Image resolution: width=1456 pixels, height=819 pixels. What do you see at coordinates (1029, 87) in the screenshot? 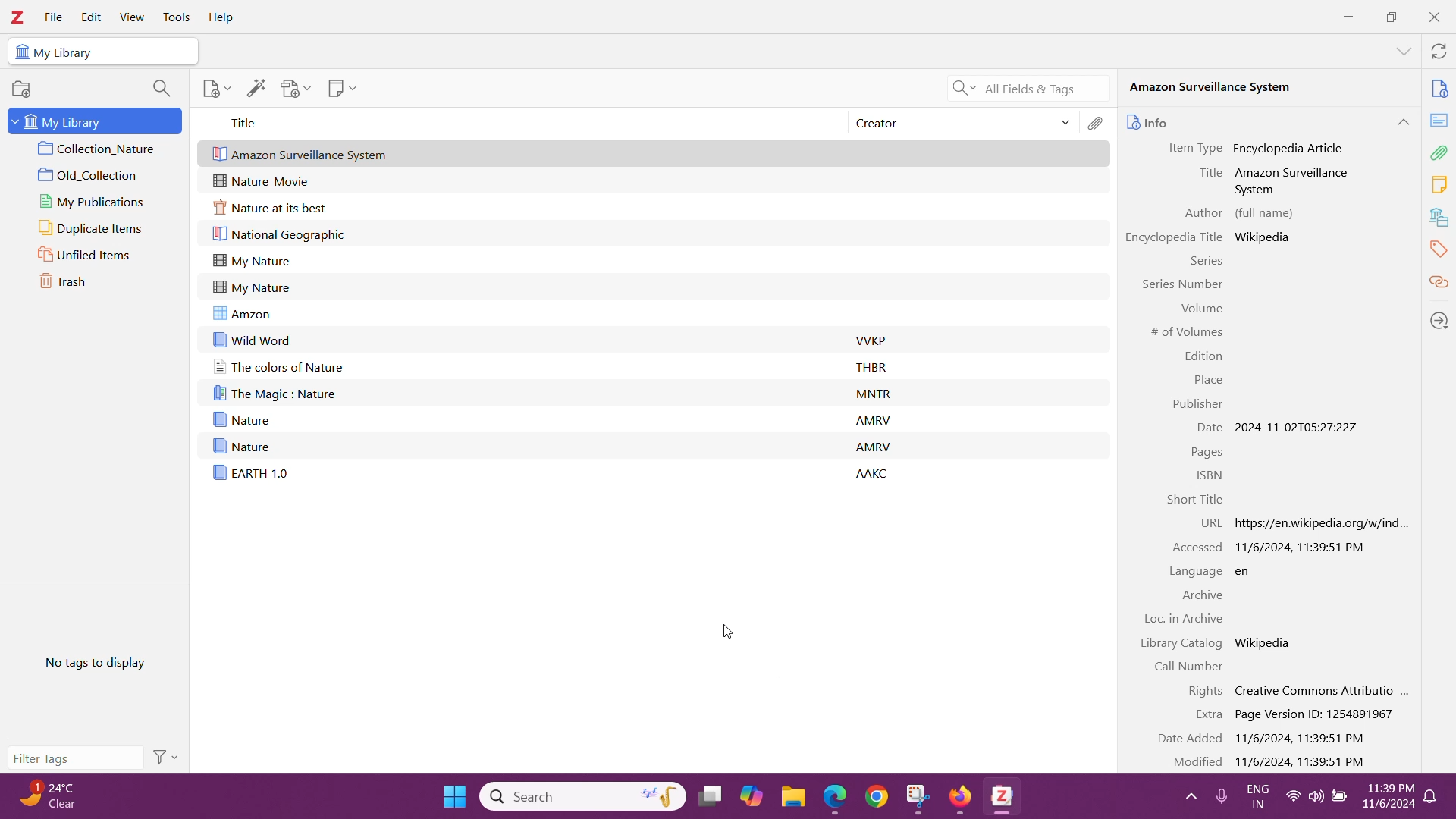
I see `Search` at bounding box center [1029, 87].